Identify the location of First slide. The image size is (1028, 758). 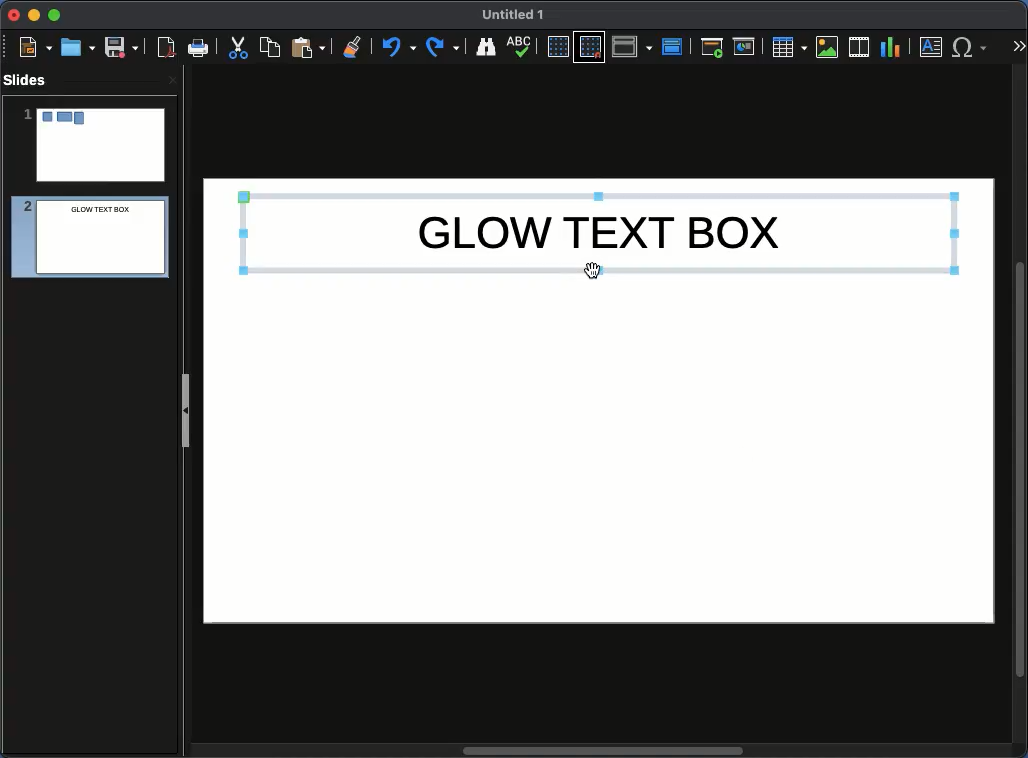
(712, 47).